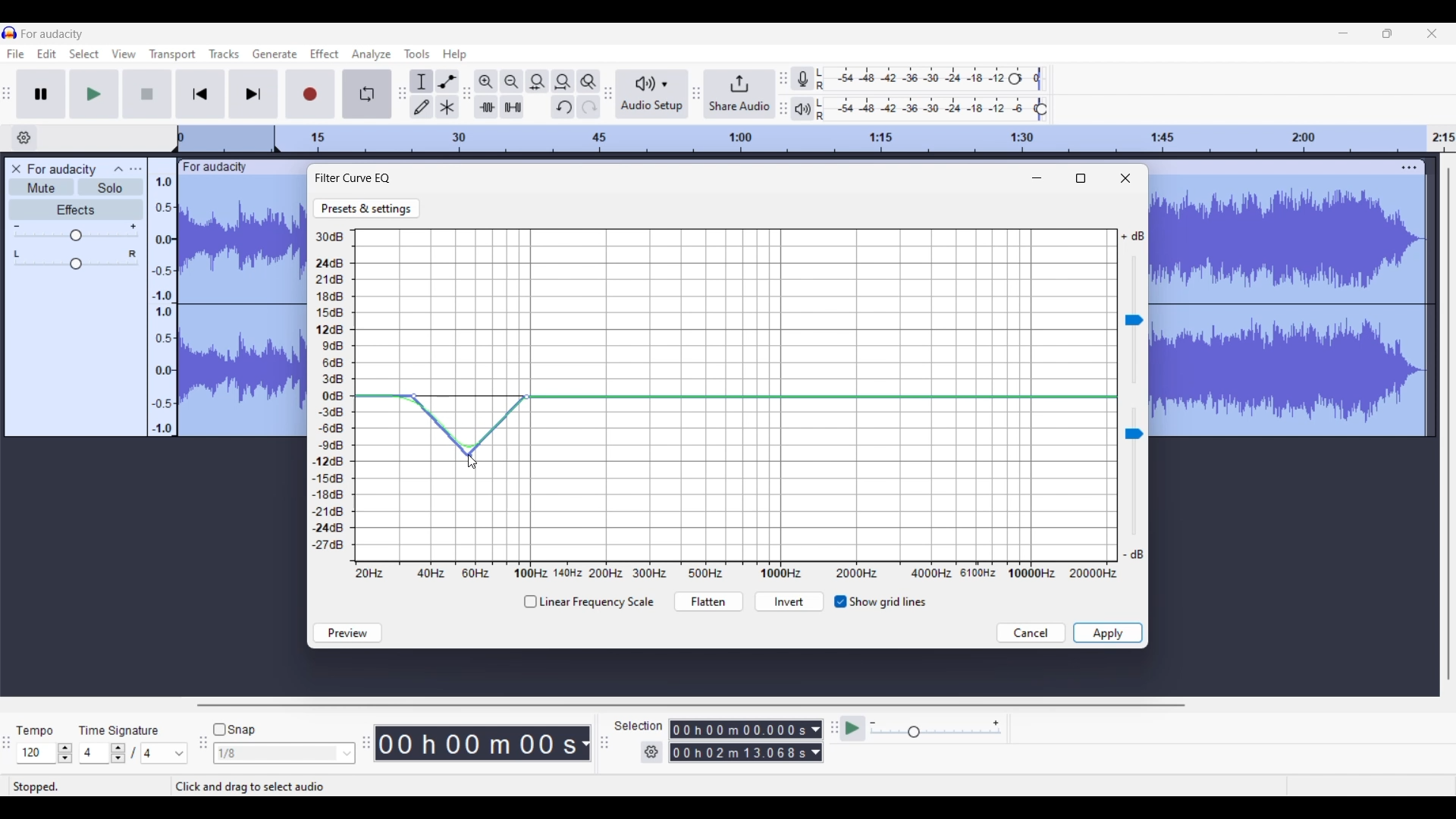 Image resolution: width=1456 pixels, height=819 pixels. I want to click on Track selected, so click(243, 307).